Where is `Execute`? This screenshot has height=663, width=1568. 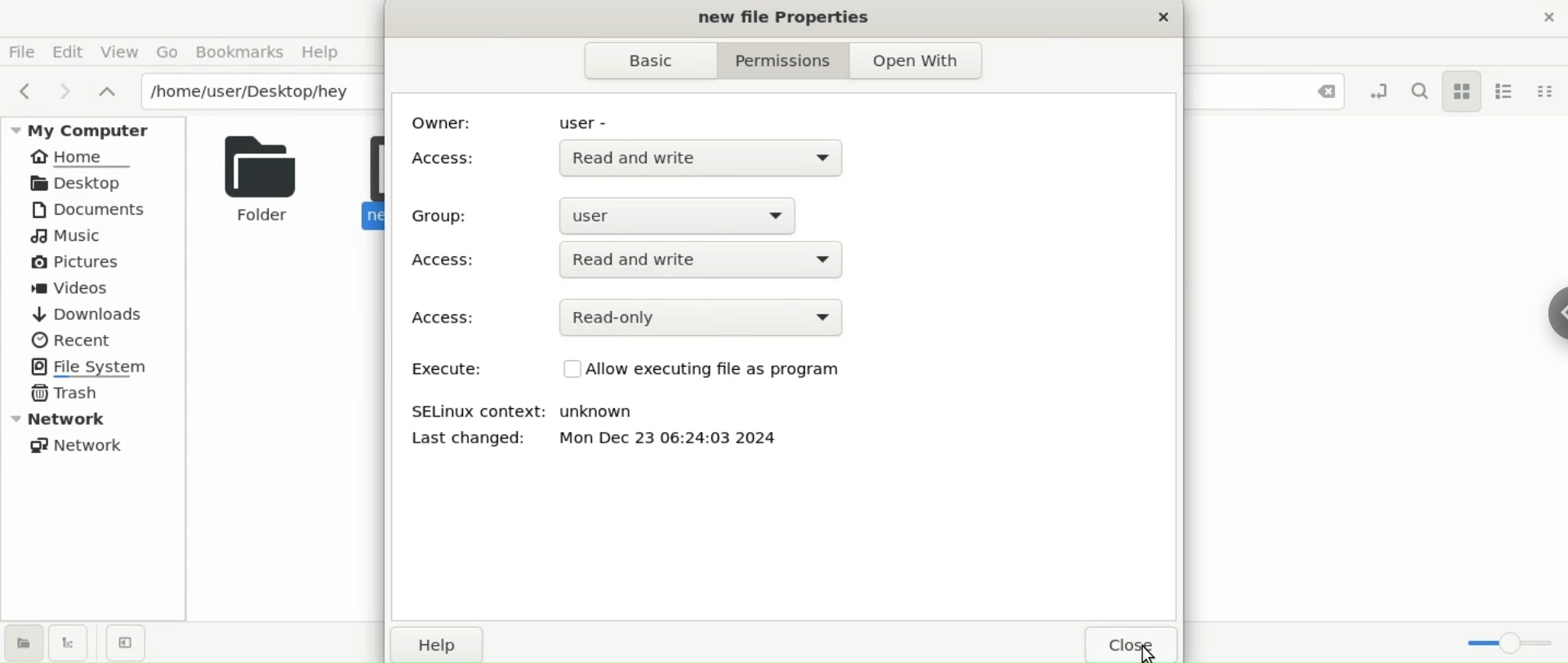
Execute is located at coordinates (446, 375).